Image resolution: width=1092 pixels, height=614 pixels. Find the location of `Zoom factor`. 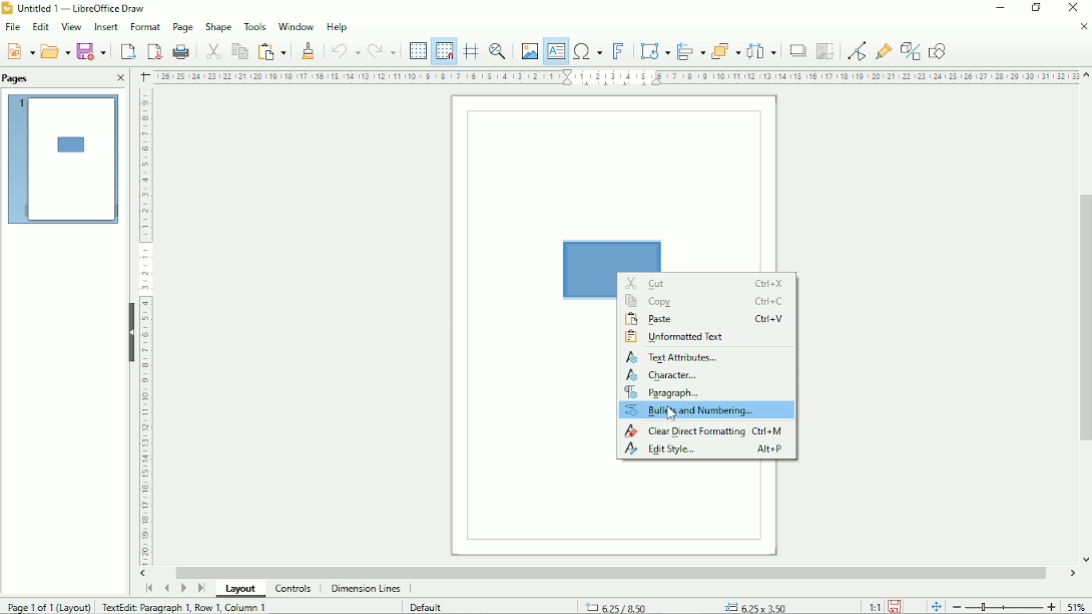

Zoom factor is located at coordinates (1076, 605).